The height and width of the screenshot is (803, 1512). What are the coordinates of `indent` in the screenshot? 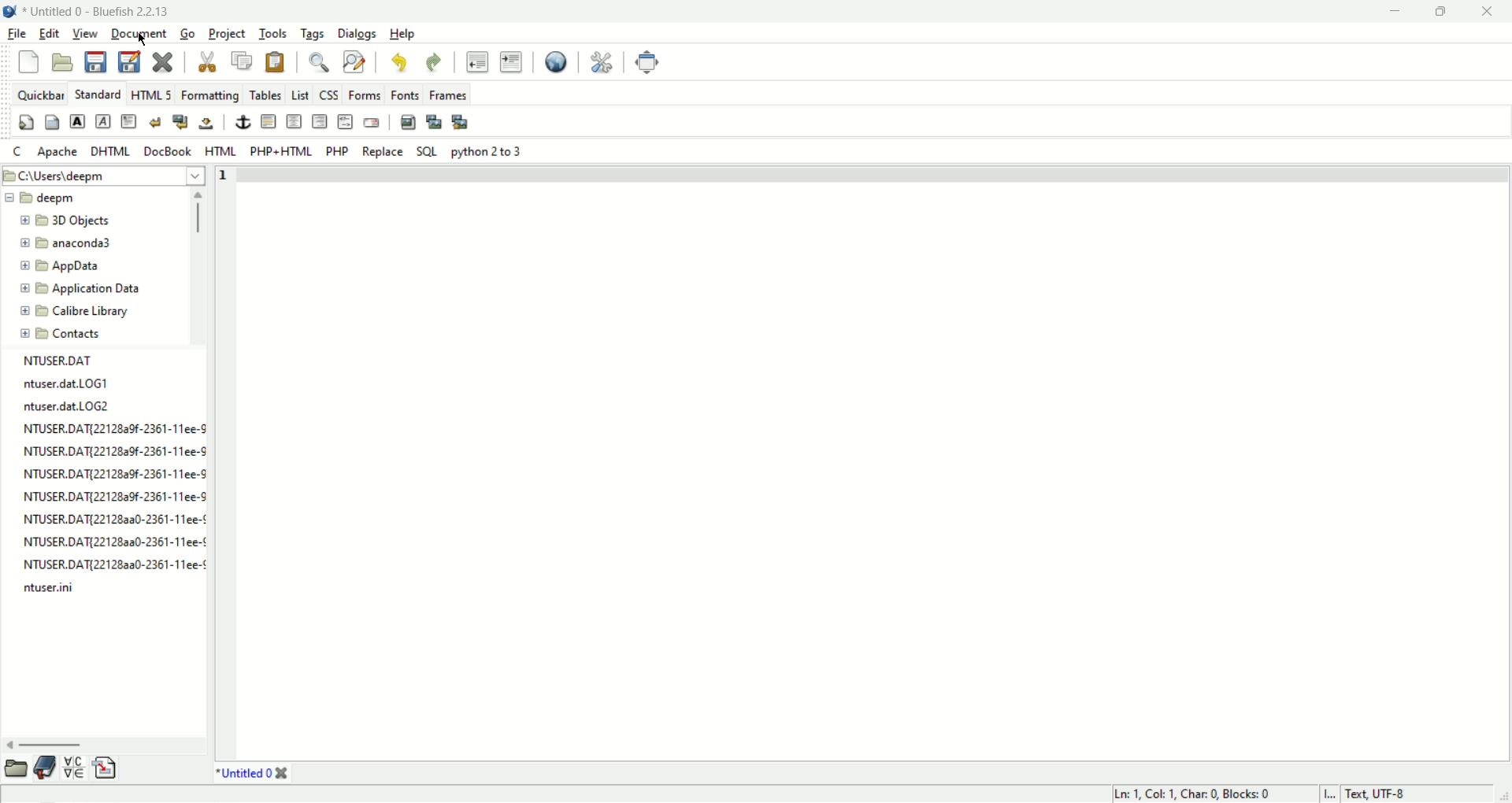 It's located at (515, 64).